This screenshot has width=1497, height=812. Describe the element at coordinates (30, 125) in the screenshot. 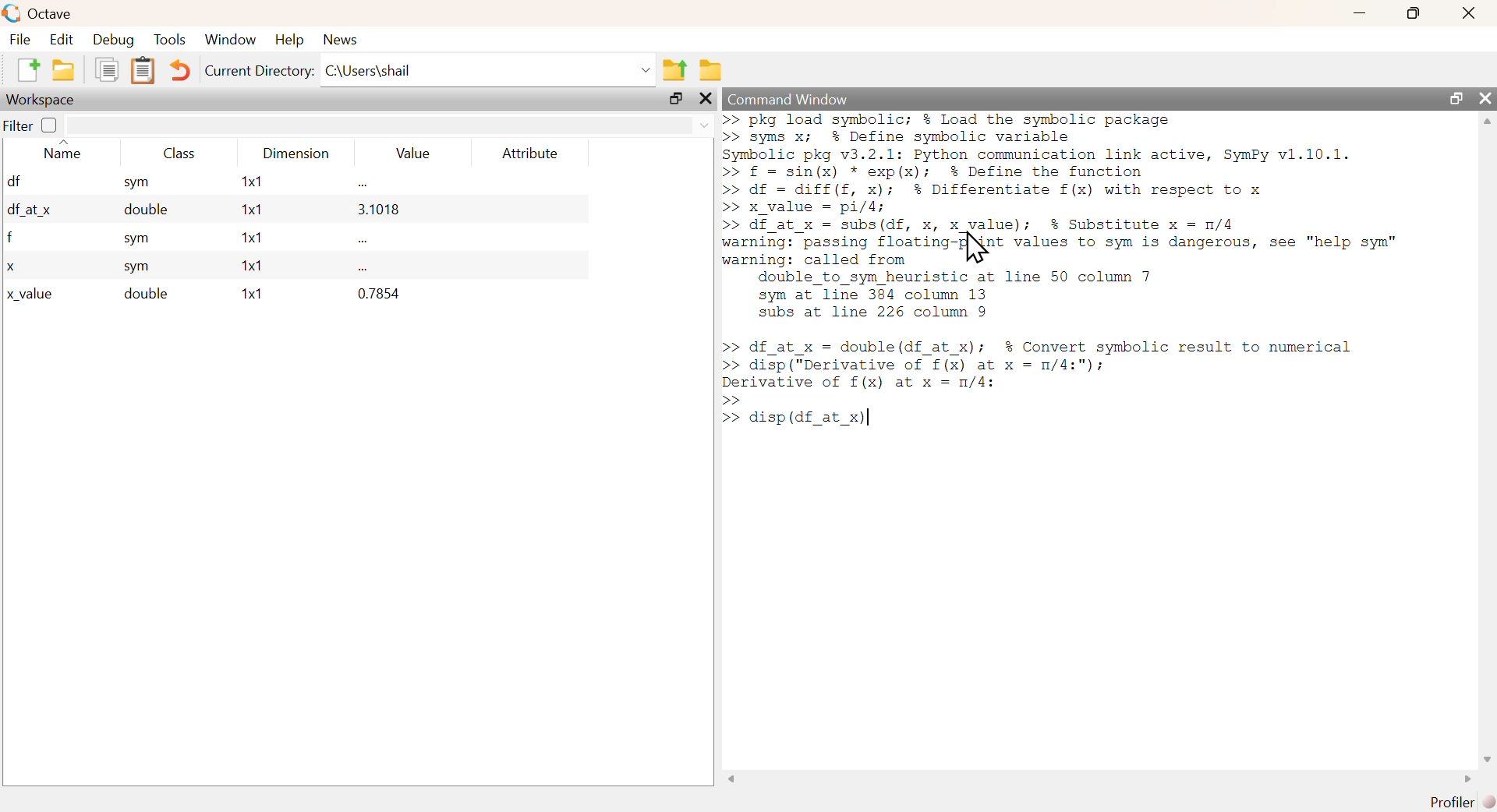

I see `Filter` at that location.